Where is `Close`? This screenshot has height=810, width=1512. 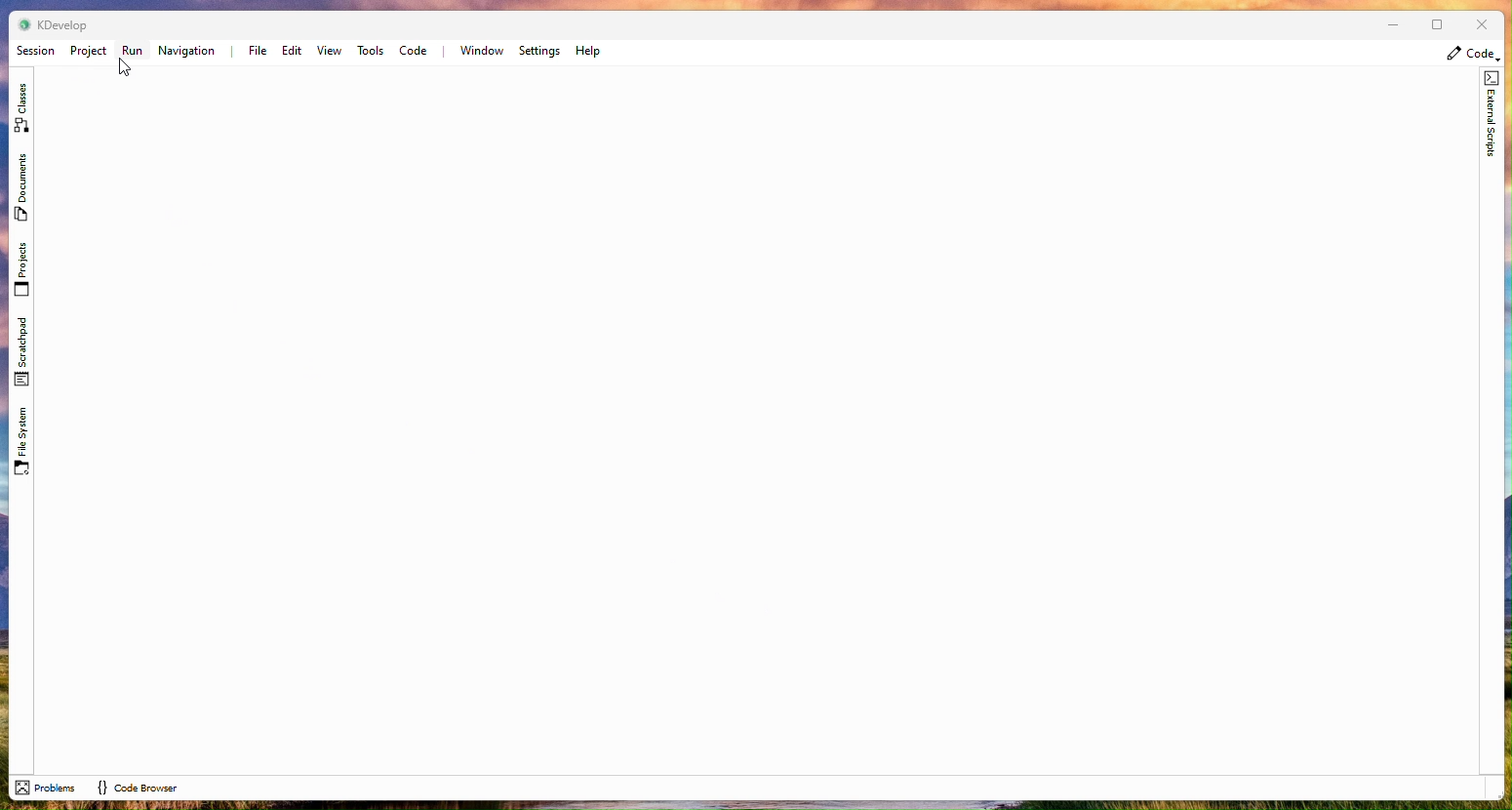 Close is located at coordinates (1480, 26).